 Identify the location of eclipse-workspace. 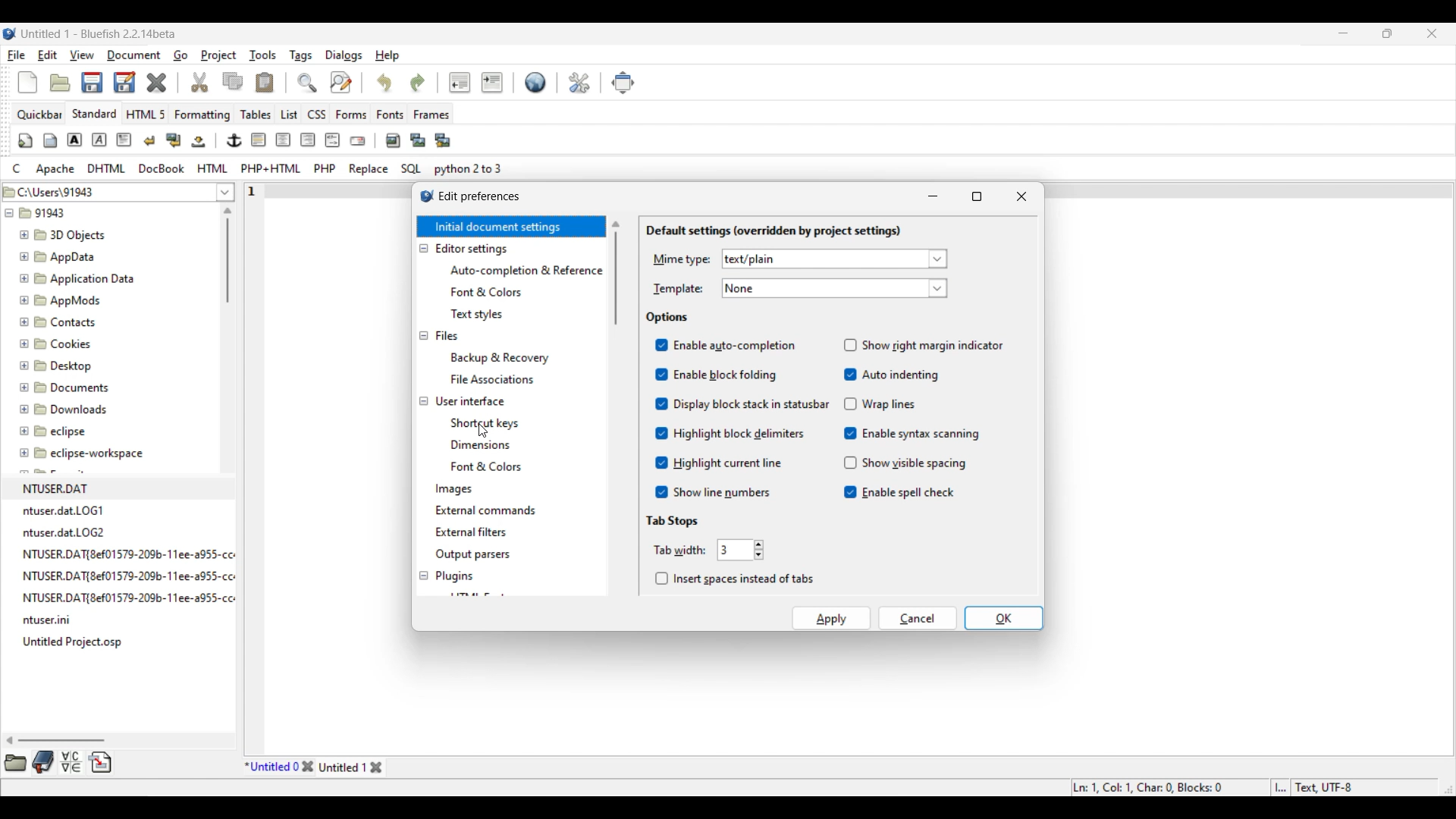
(83, 457).